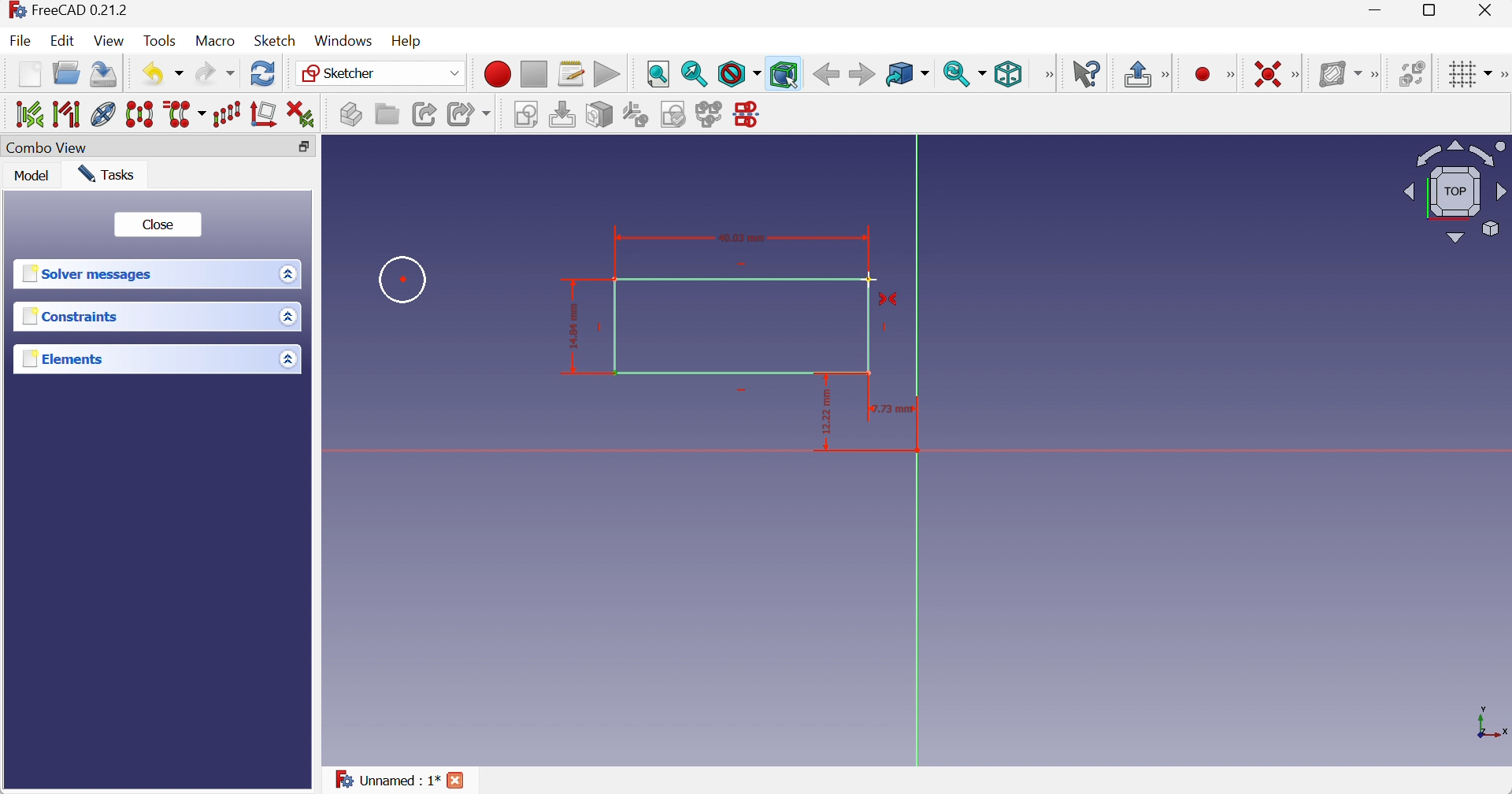  I want to click on [Sketcher constraints], so click(1299, 74).